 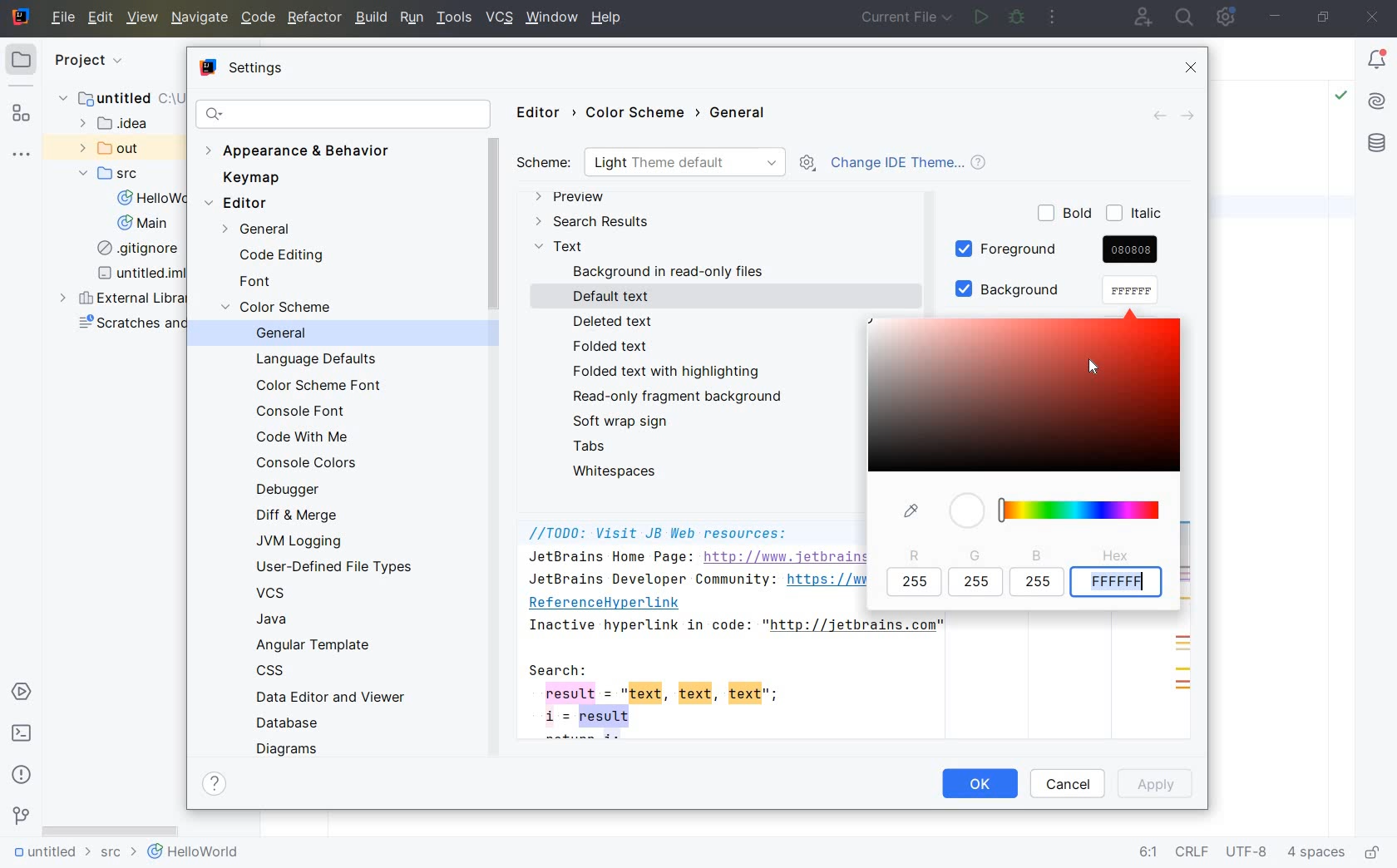 What do you see at coordinates (306, 515) in the screenshot?
I see `DIFF & MERGE` at bounding box center [306, 515].